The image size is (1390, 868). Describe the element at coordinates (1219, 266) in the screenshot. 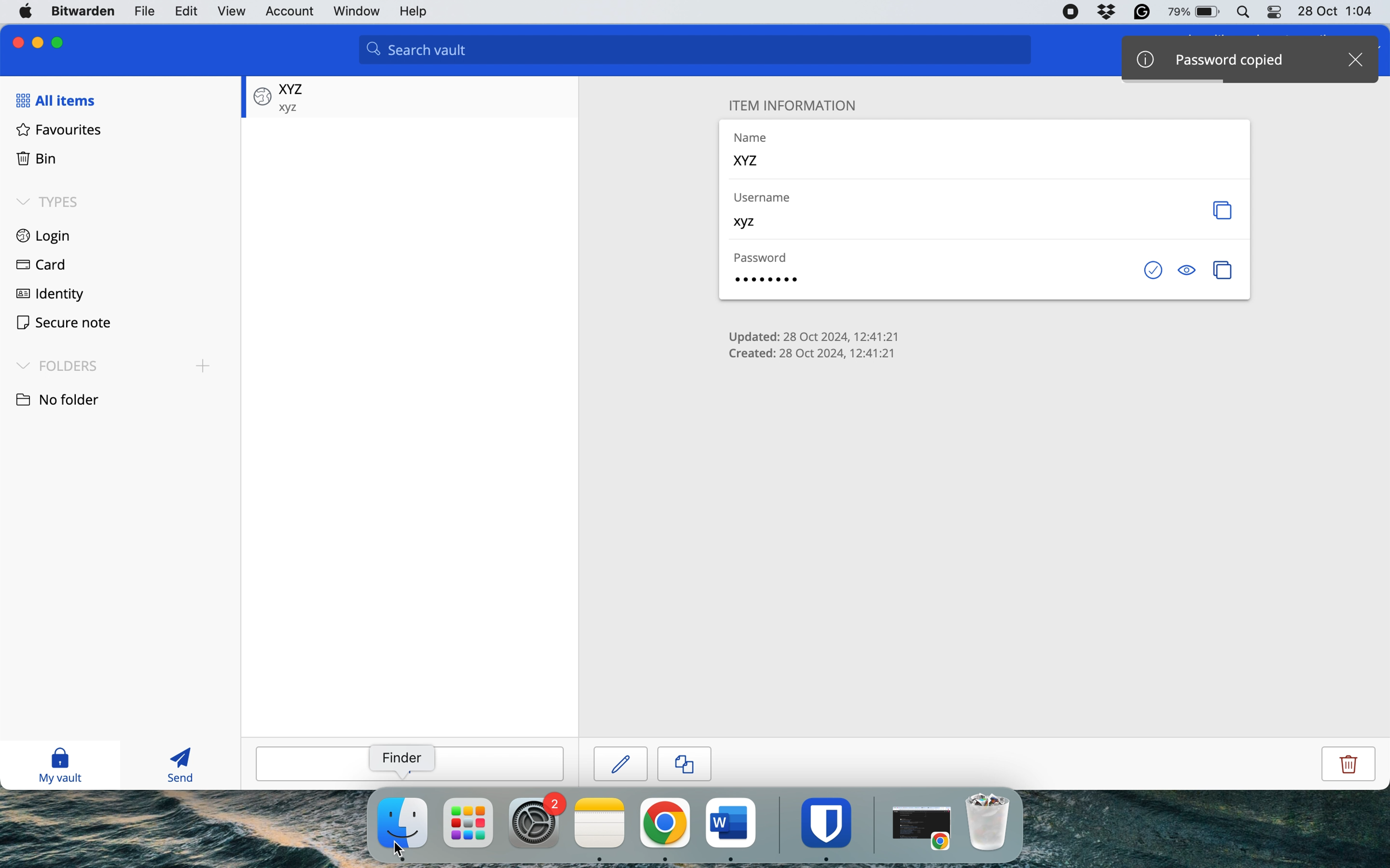

I see `copy` at that location.